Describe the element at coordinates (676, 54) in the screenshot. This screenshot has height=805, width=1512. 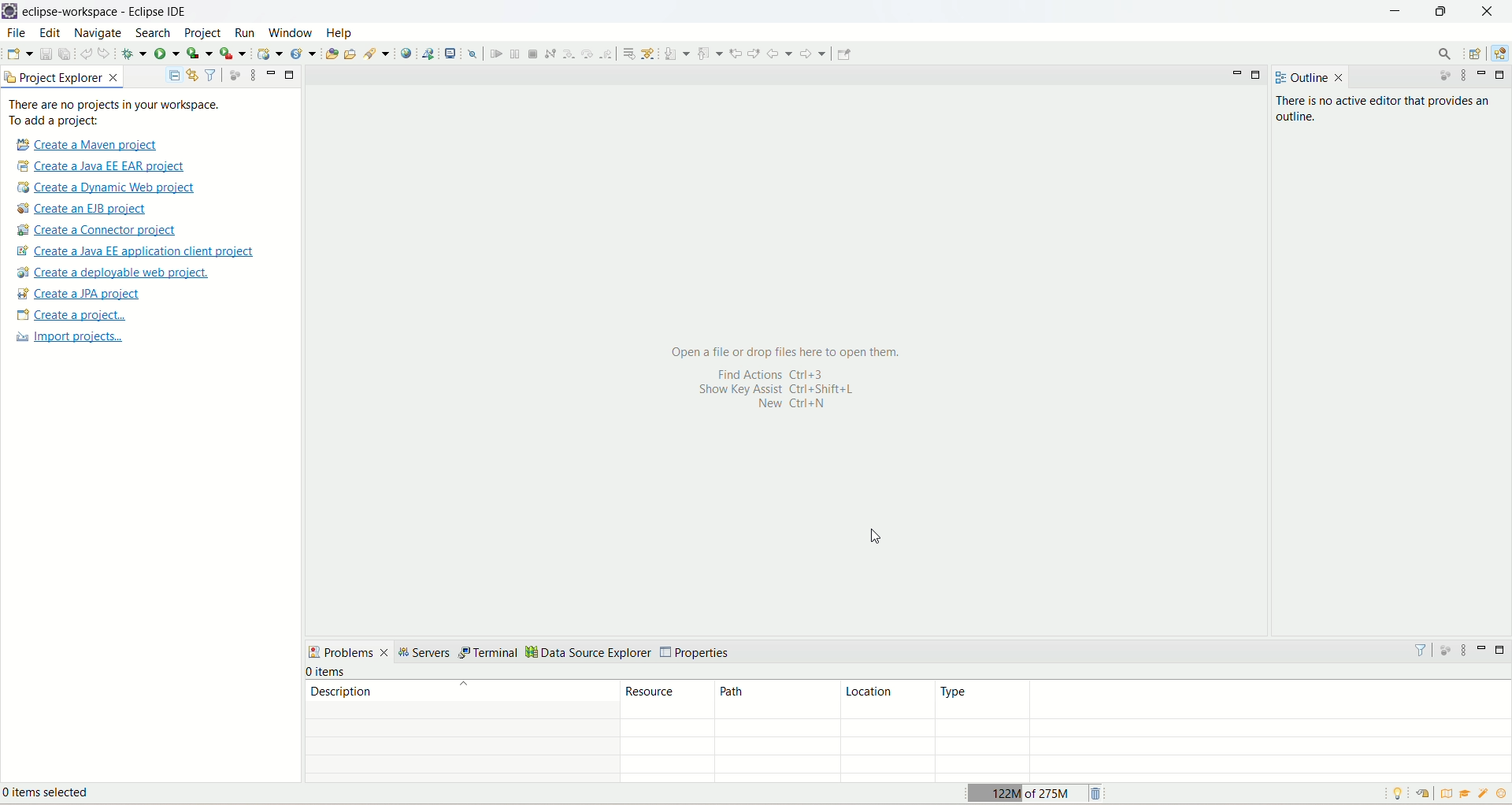
I see `next annotation` at that location.